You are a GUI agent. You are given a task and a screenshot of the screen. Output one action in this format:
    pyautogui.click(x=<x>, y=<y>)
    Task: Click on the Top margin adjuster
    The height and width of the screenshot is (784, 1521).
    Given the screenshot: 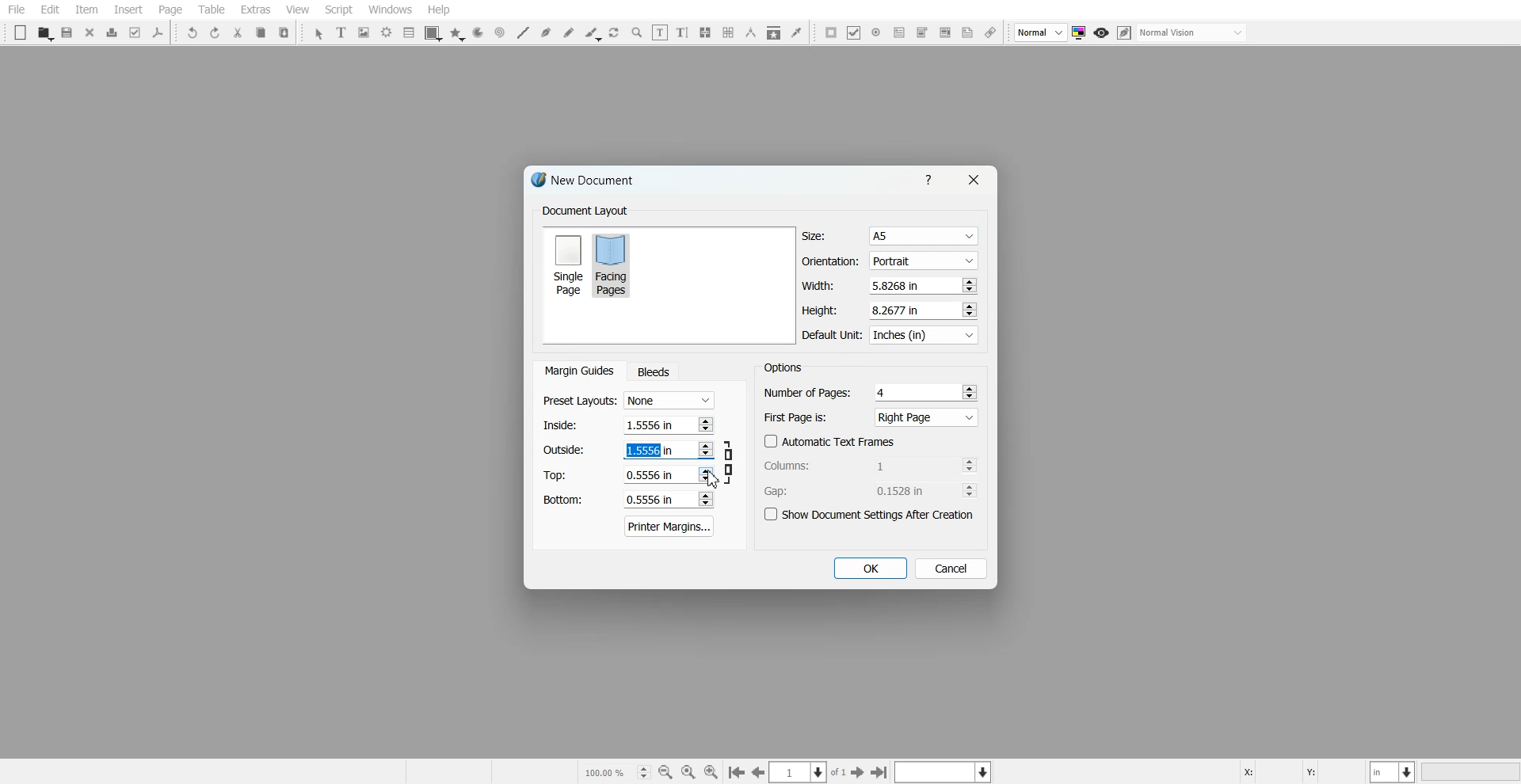 What is the action you would take?
    pyautogui.click(x=628, y=474)
    